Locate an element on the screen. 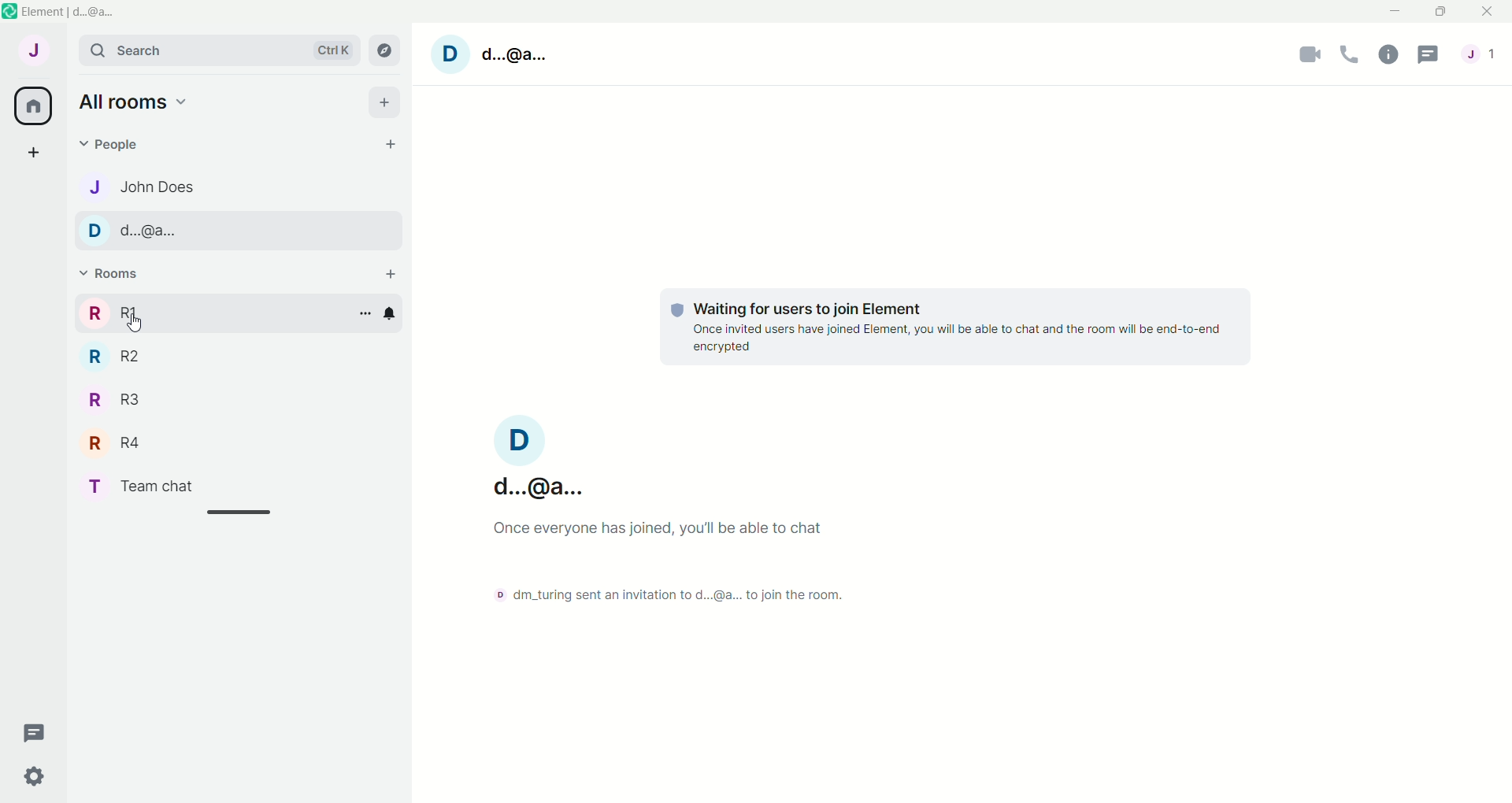 The image size is (1512, 803). R R2 is located at coordinates (132, 358).